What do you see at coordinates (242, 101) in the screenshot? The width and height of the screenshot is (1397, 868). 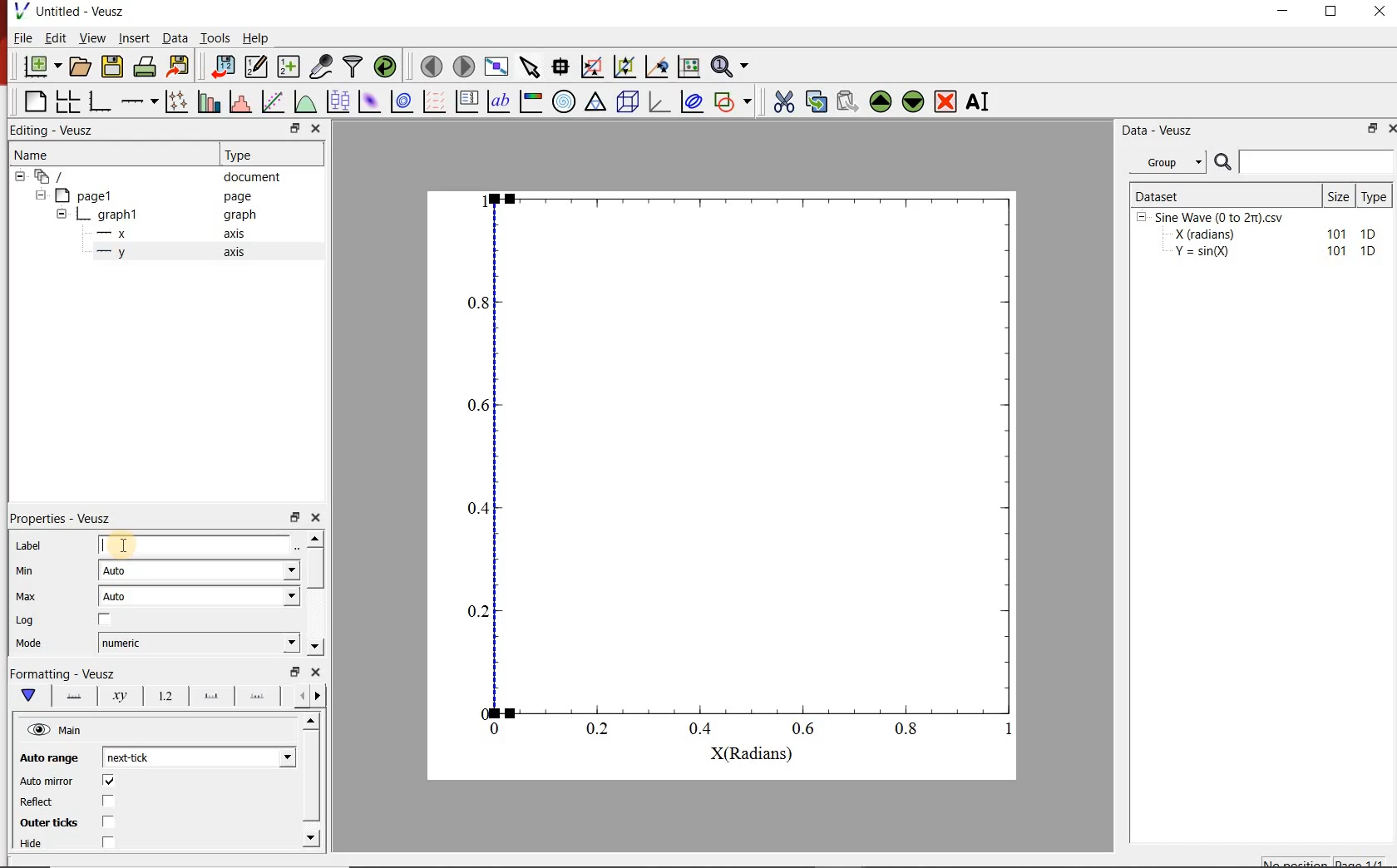 I see `histogram` at bounding box center [242, 101].